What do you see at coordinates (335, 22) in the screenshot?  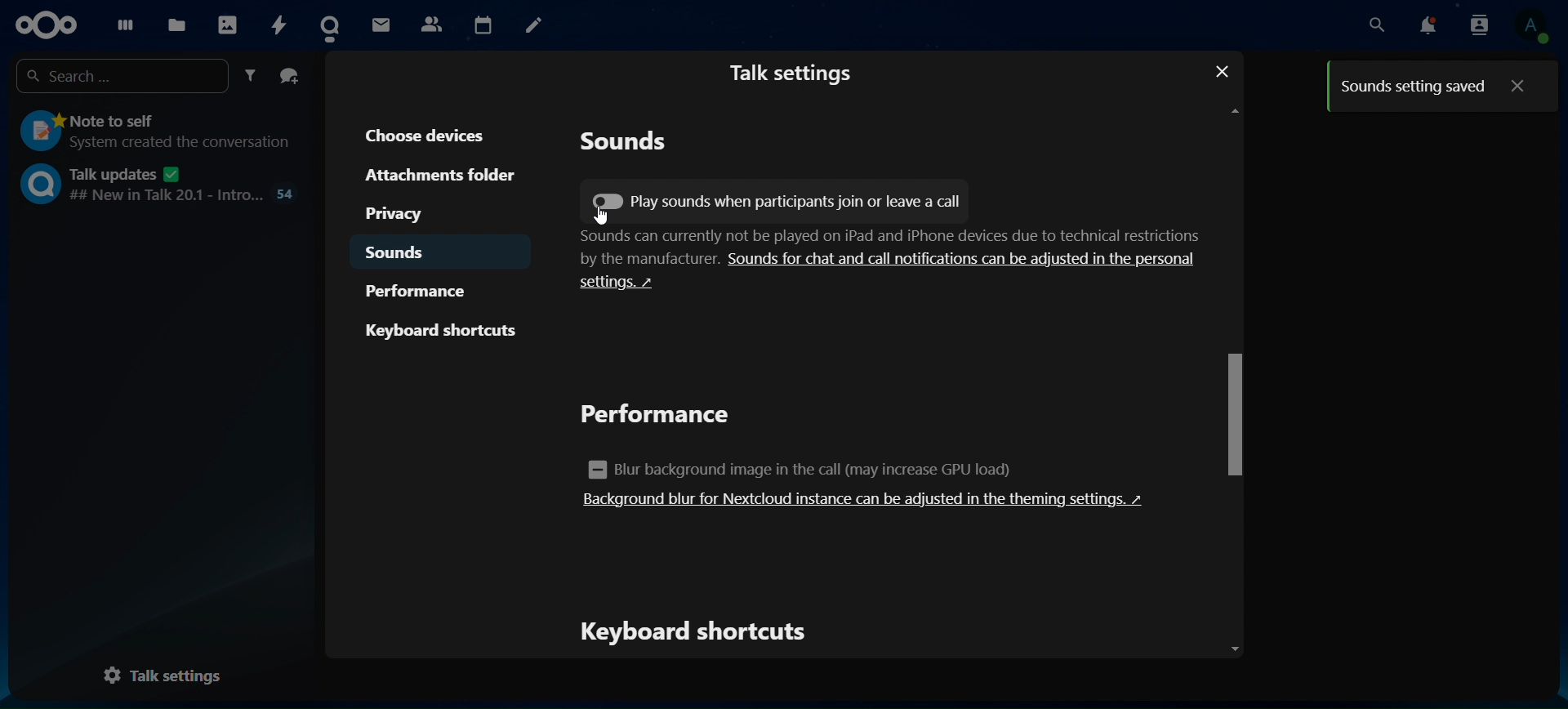 I see `talk` at bounding box center [335, 22].